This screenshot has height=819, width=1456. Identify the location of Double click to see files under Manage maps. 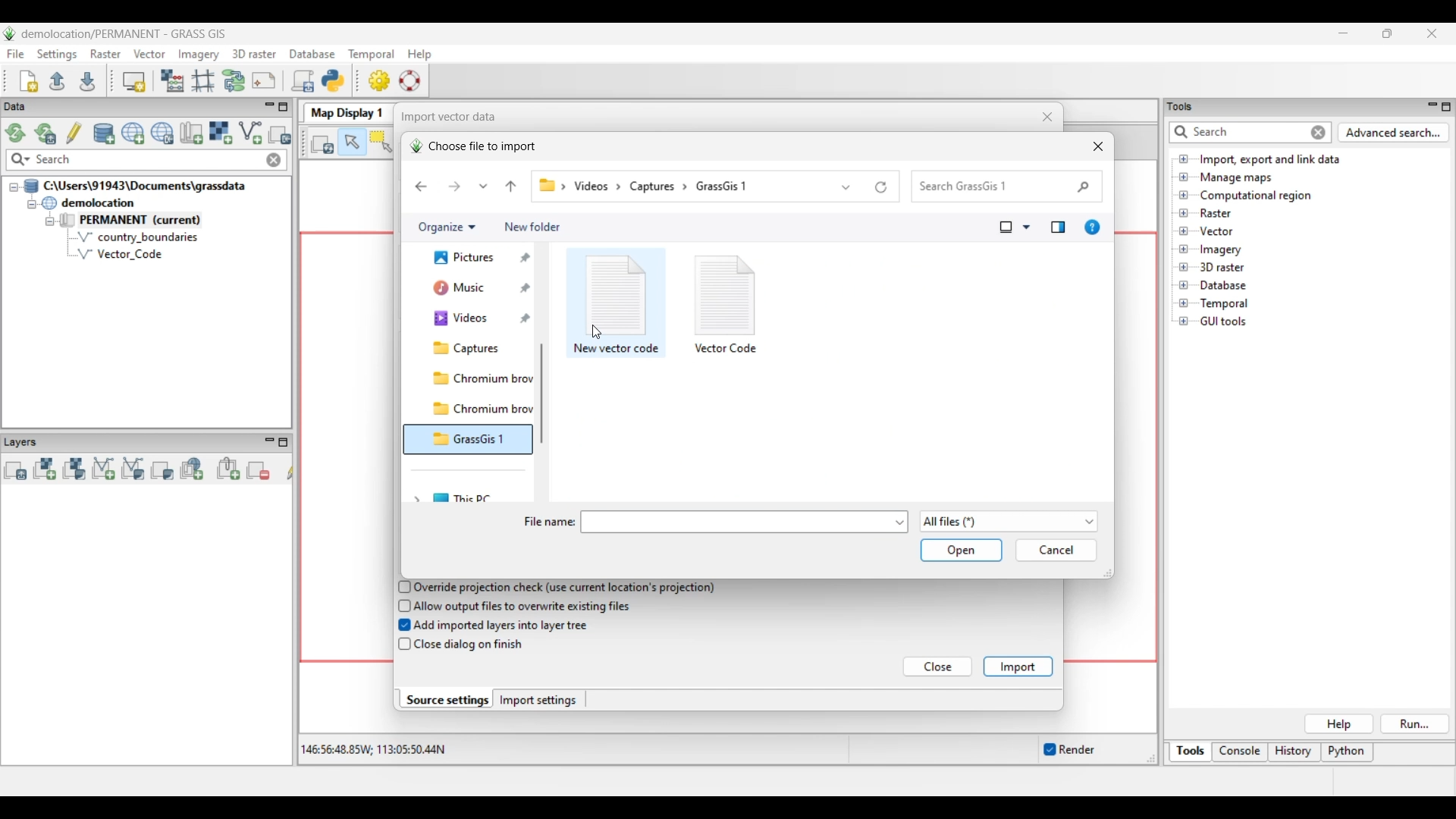
(1237, 178).